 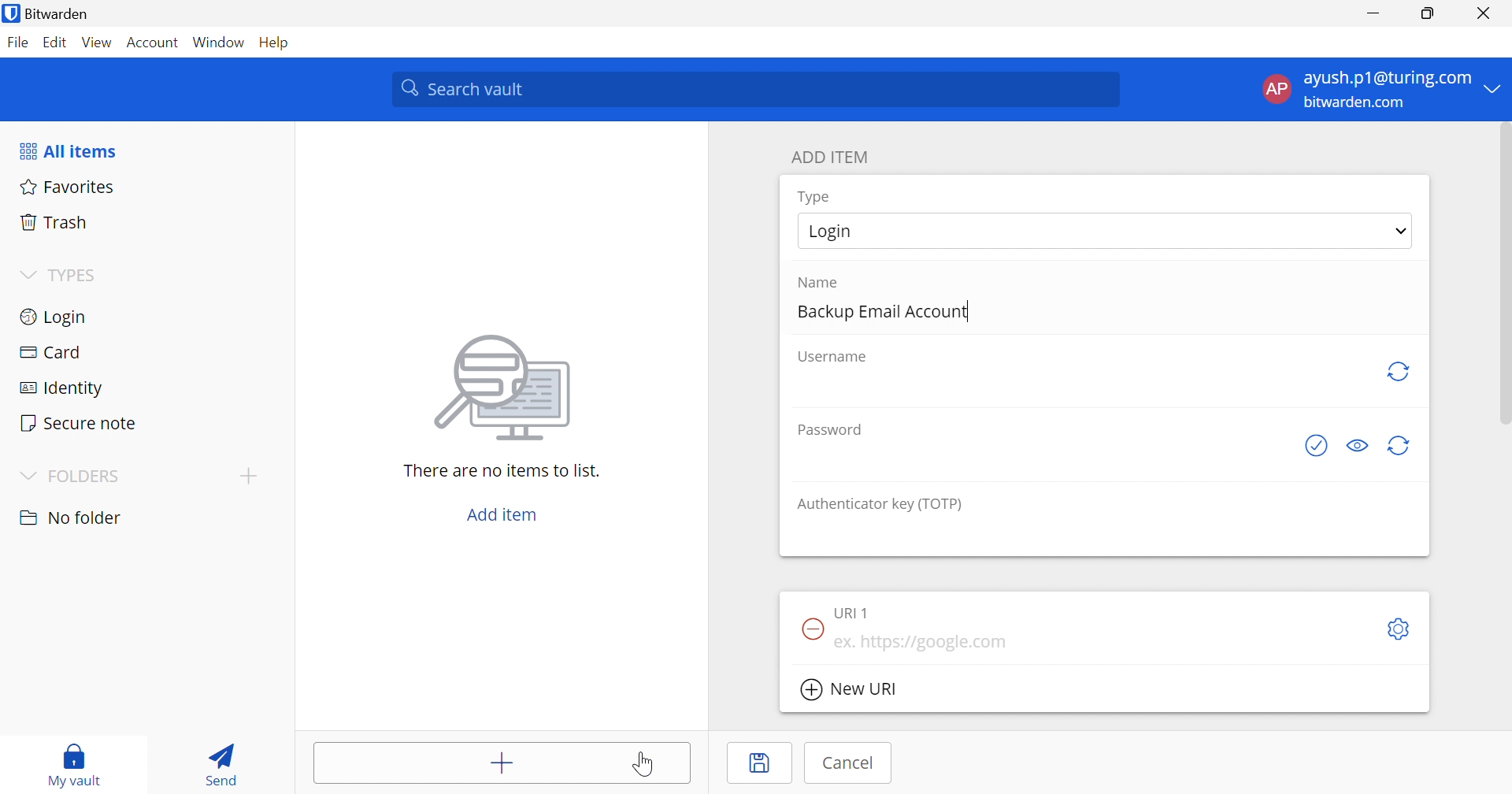 What do you see at coordinates (55, 221) in the screenshot?
I see `Trash` at bounding box center [55, 221].